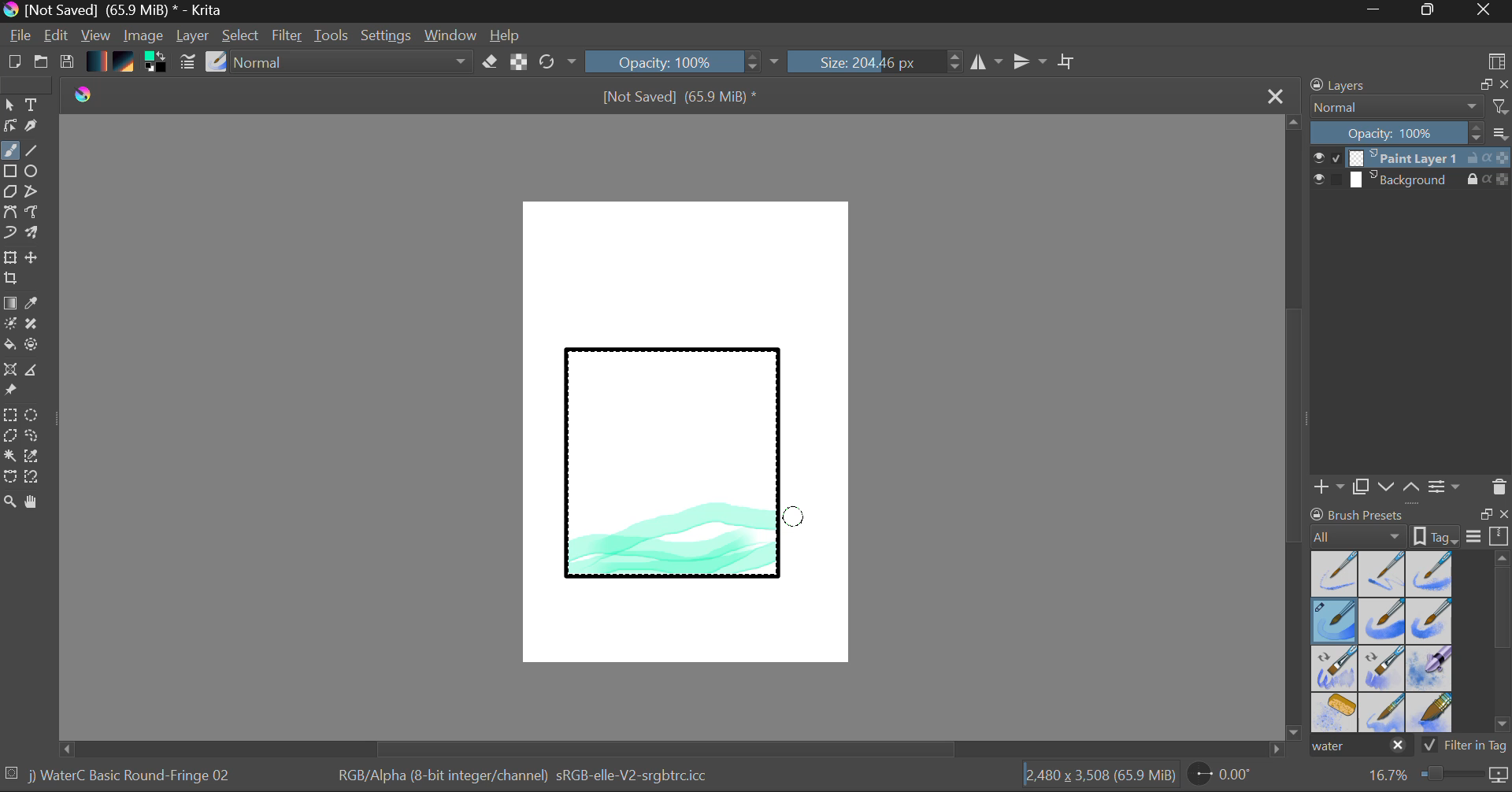 This screenshot has width=1512, height=792. Describe the element at coordinates (37, 505) in the screenshot. I see `Pan` at that location.